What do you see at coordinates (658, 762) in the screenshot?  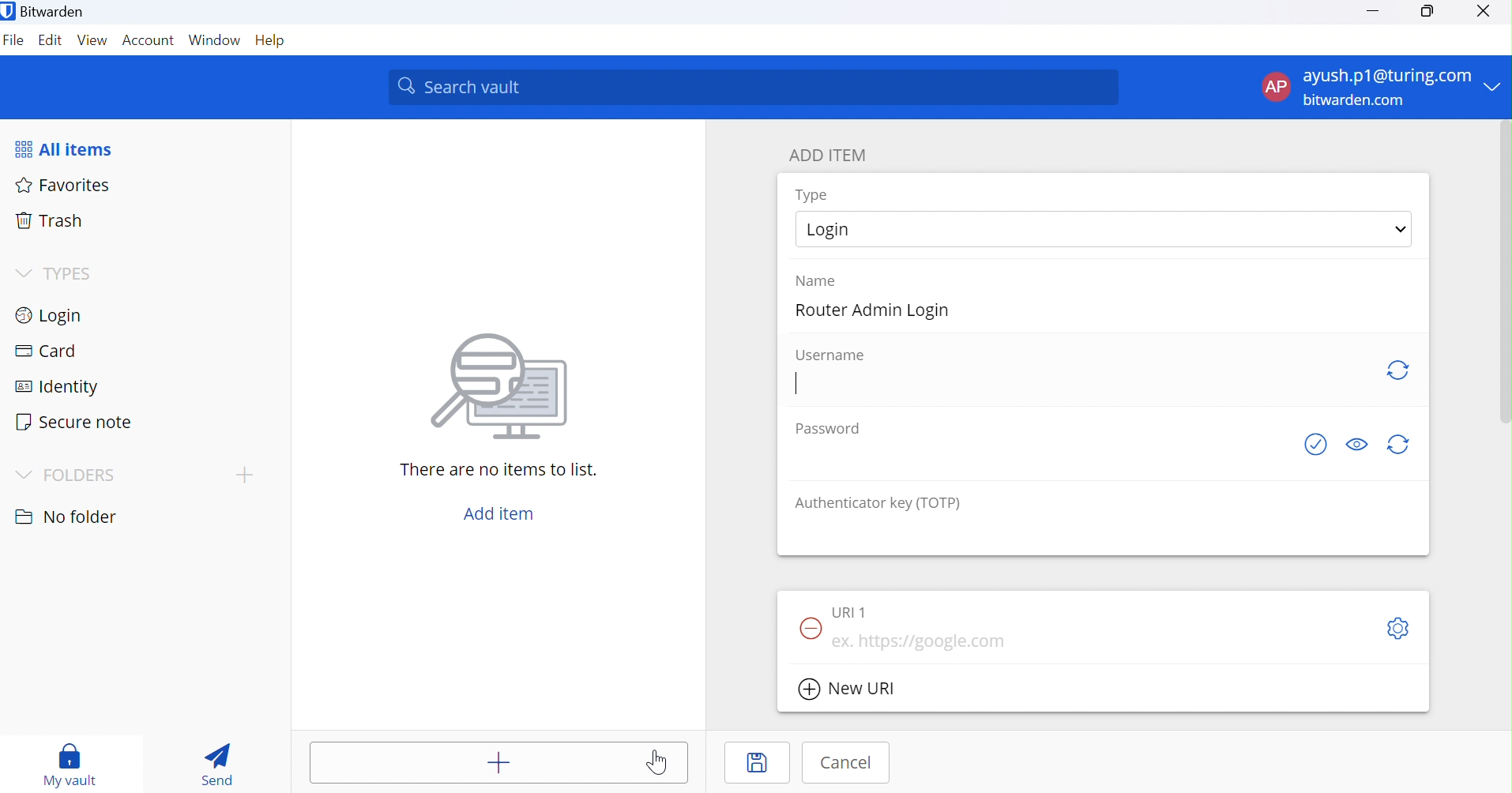 I see `Cursor` at bounding box center [658, 762].